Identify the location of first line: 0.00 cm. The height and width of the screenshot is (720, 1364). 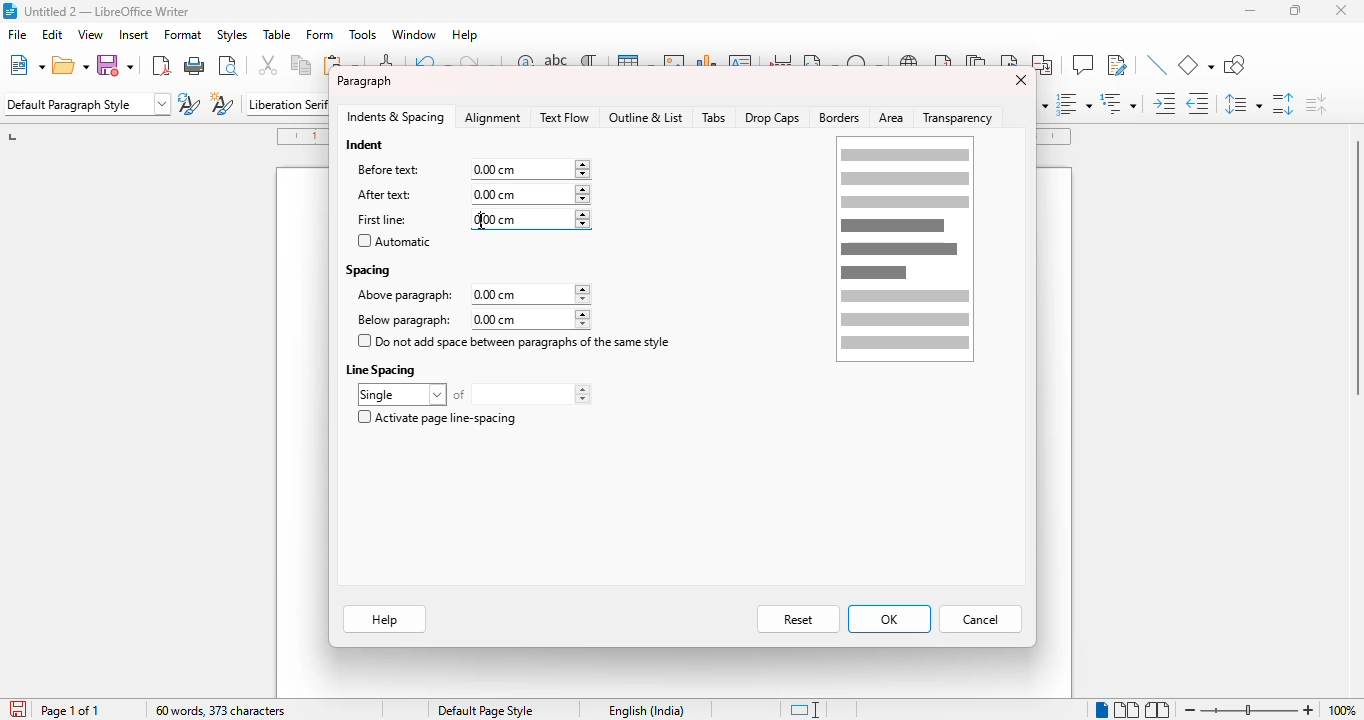
(472, 220).